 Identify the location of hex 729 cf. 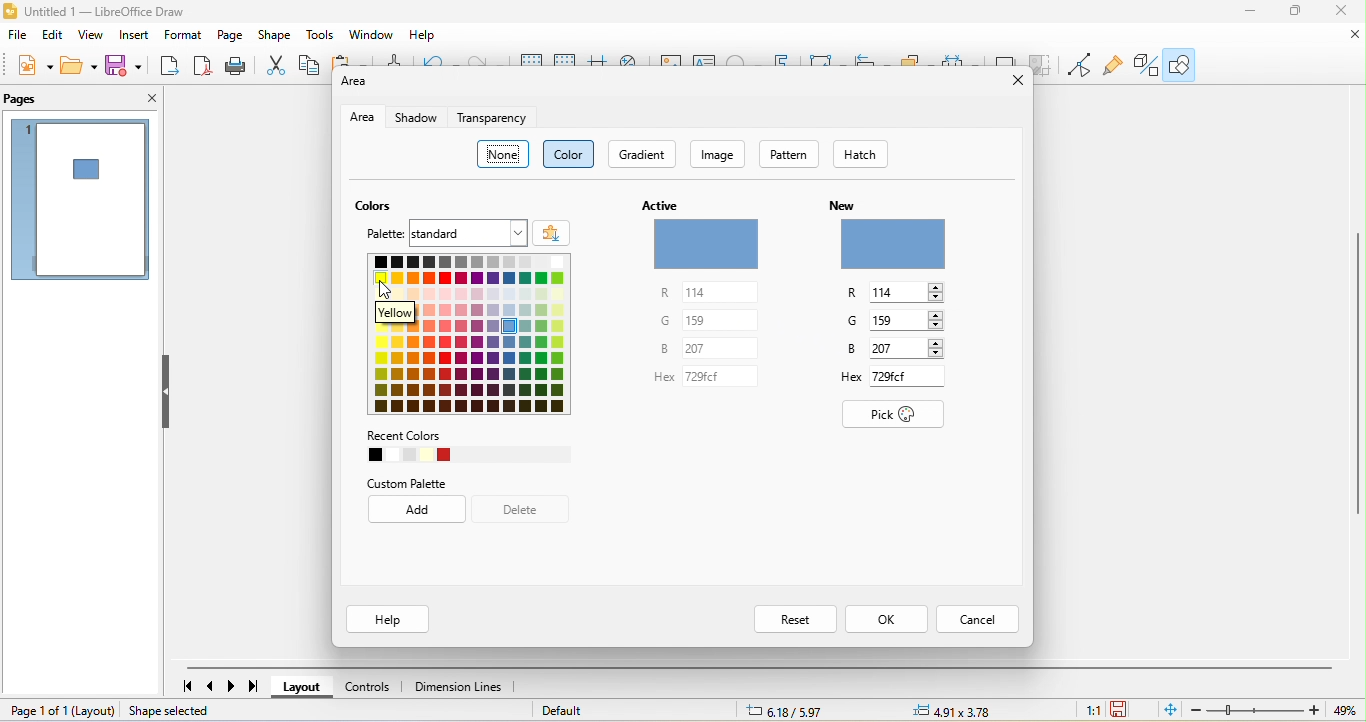
(897, 379).